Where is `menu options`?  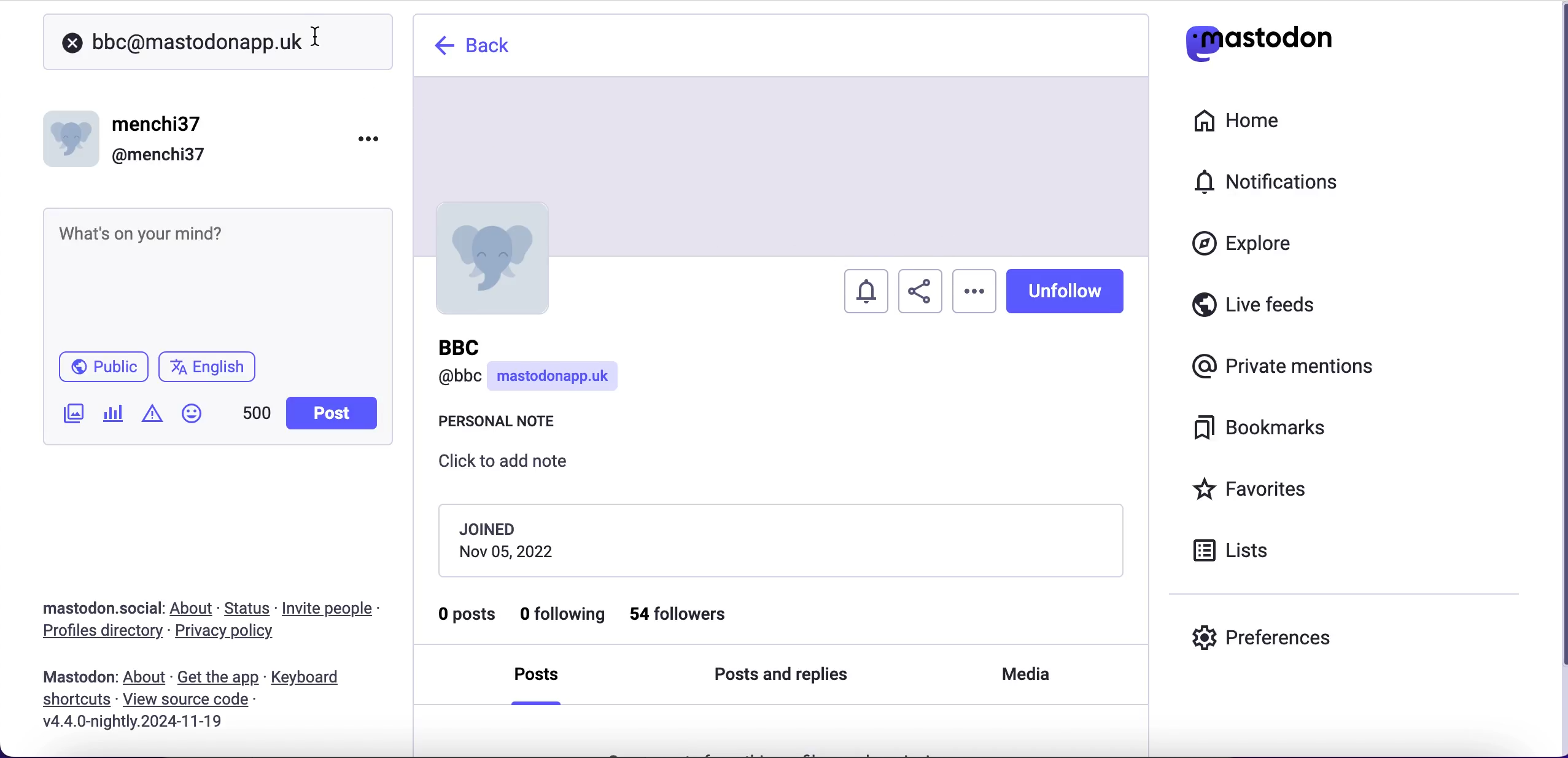 menu options is located at coordinates (373, 138).